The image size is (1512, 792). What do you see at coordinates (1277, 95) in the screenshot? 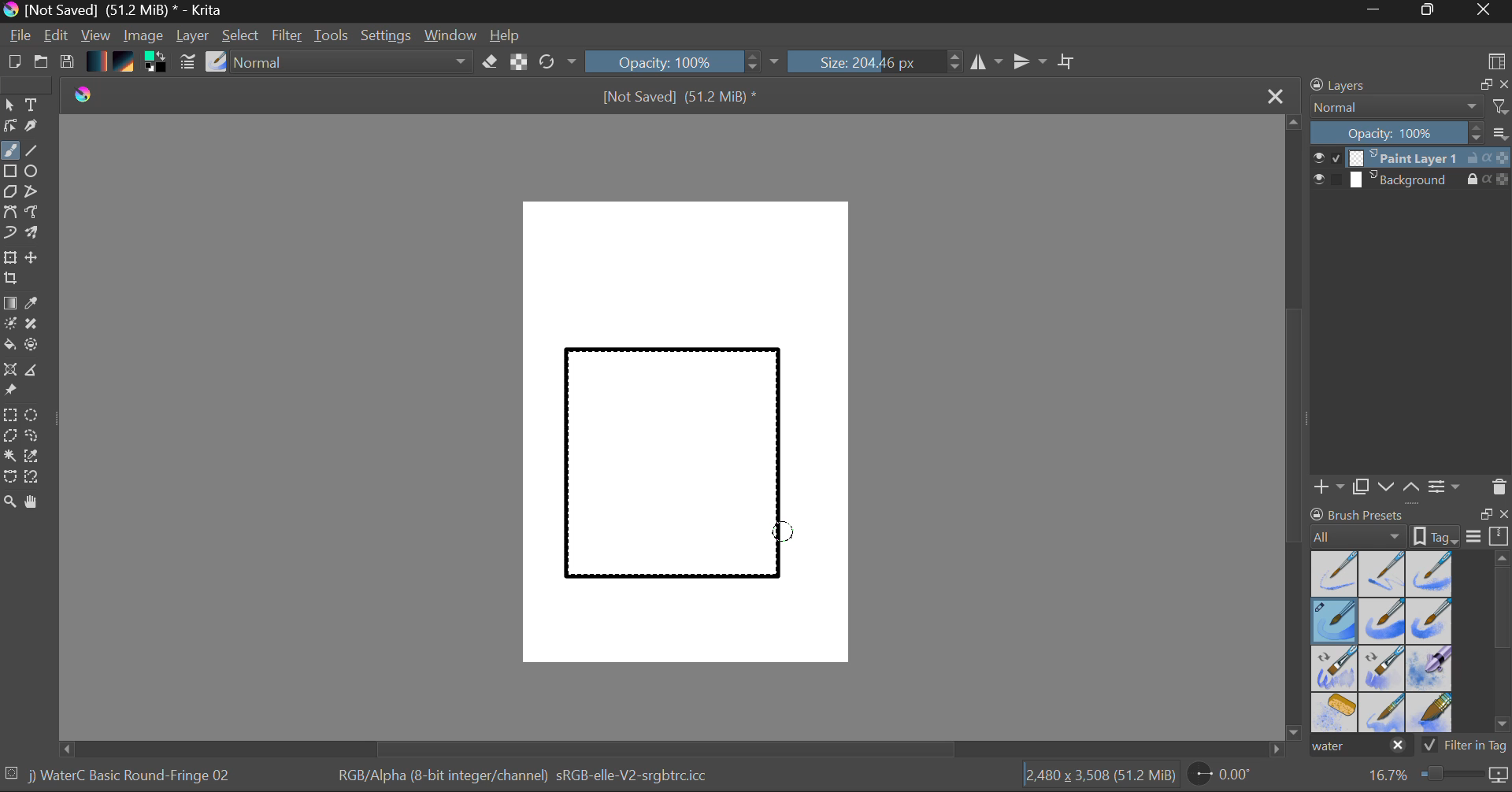
I see `Close` at bounding box center [1277, 95].